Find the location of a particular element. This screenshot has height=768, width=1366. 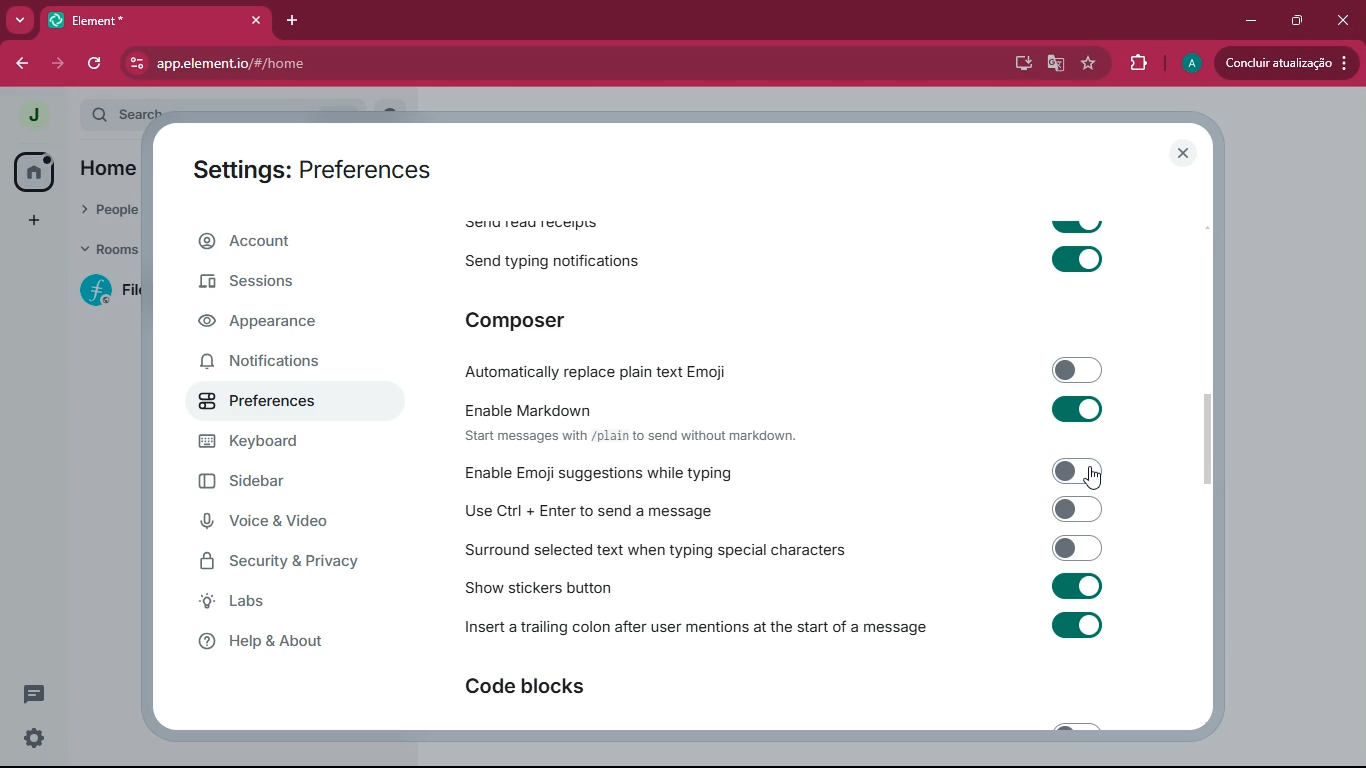

insert trailing is located at coordinates (787, 628).